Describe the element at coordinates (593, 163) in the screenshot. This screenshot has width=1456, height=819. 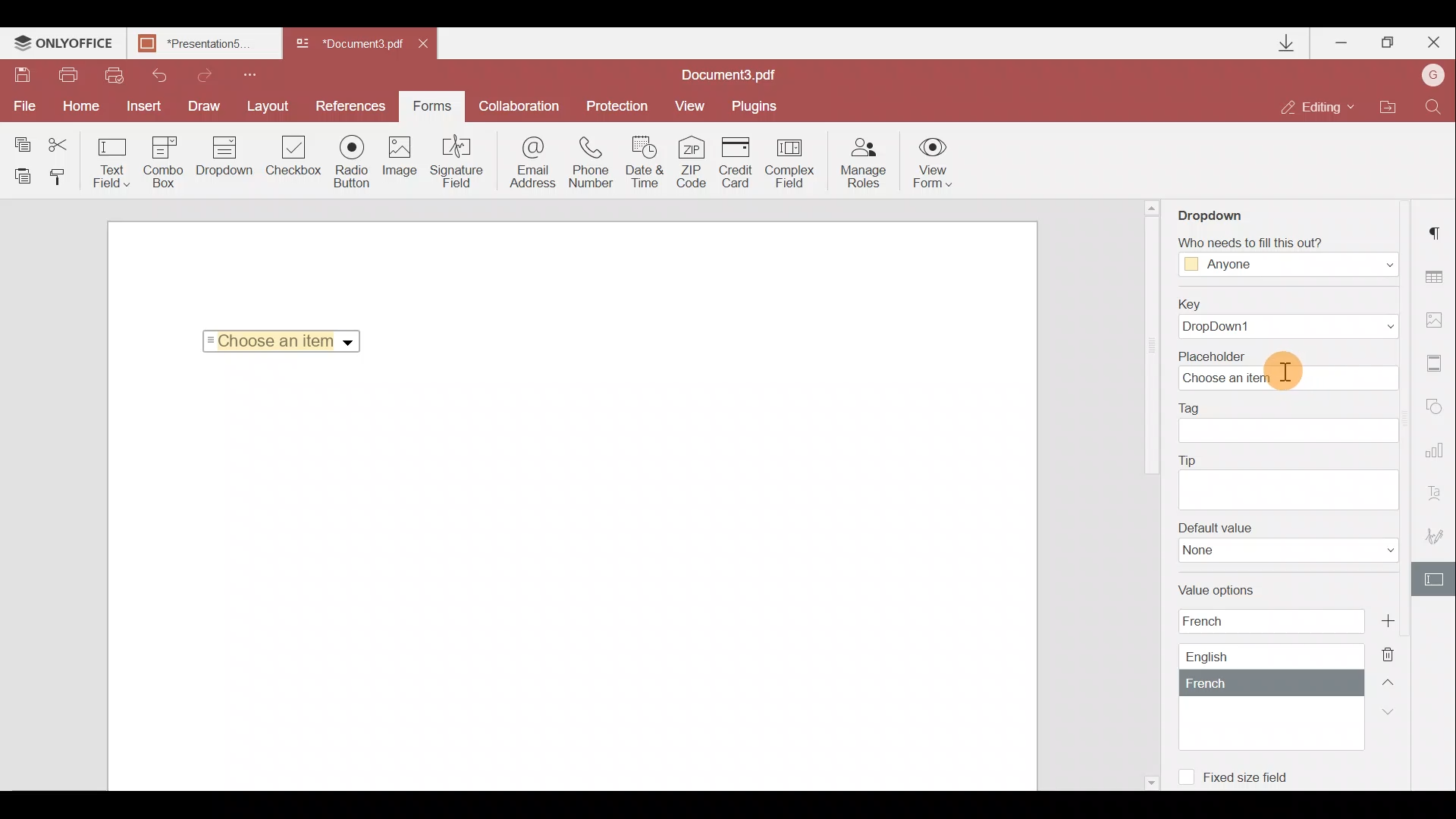
I see `Phone number` at that location.